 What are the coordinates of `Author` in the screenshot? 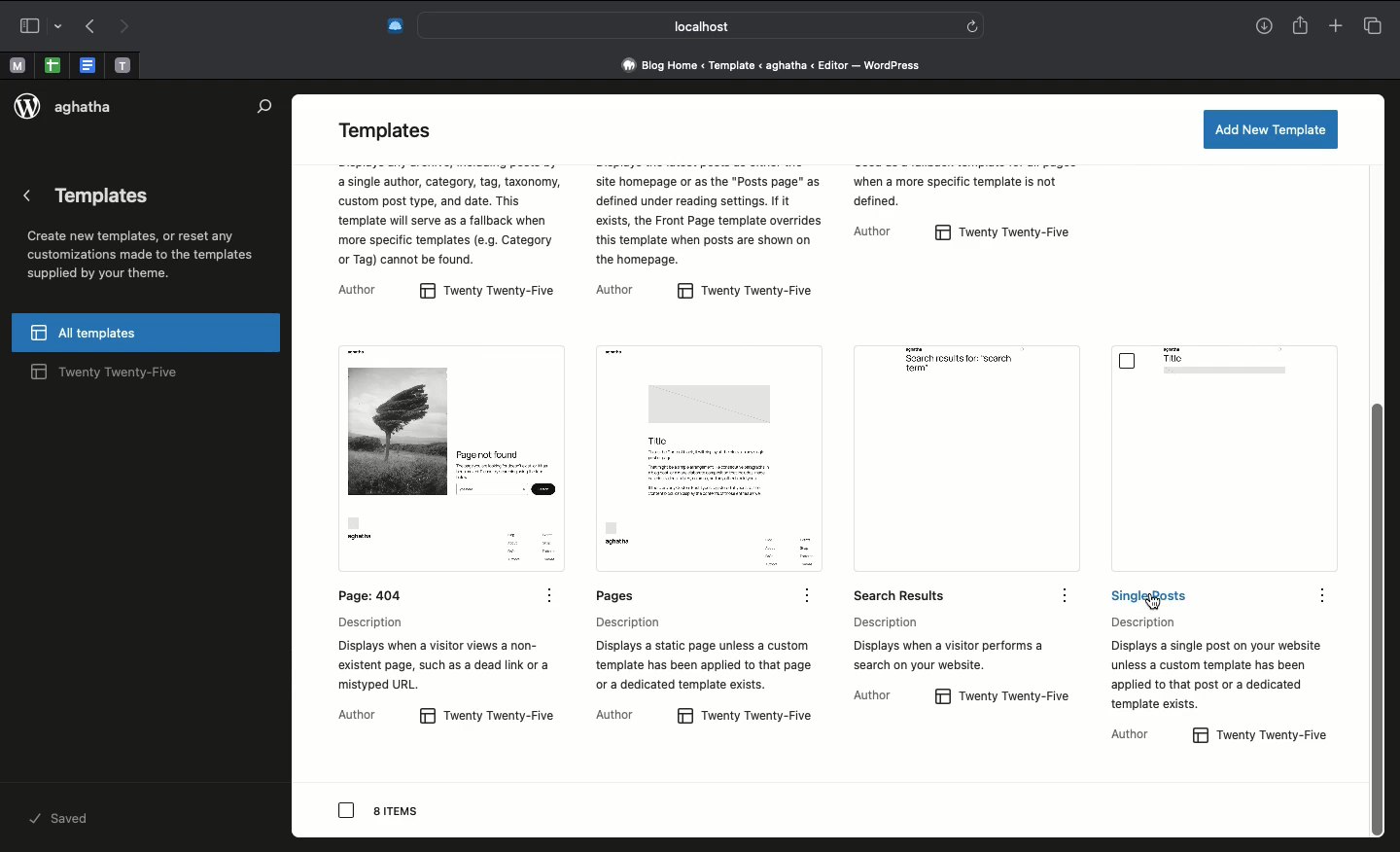 It's located at (872, 693).